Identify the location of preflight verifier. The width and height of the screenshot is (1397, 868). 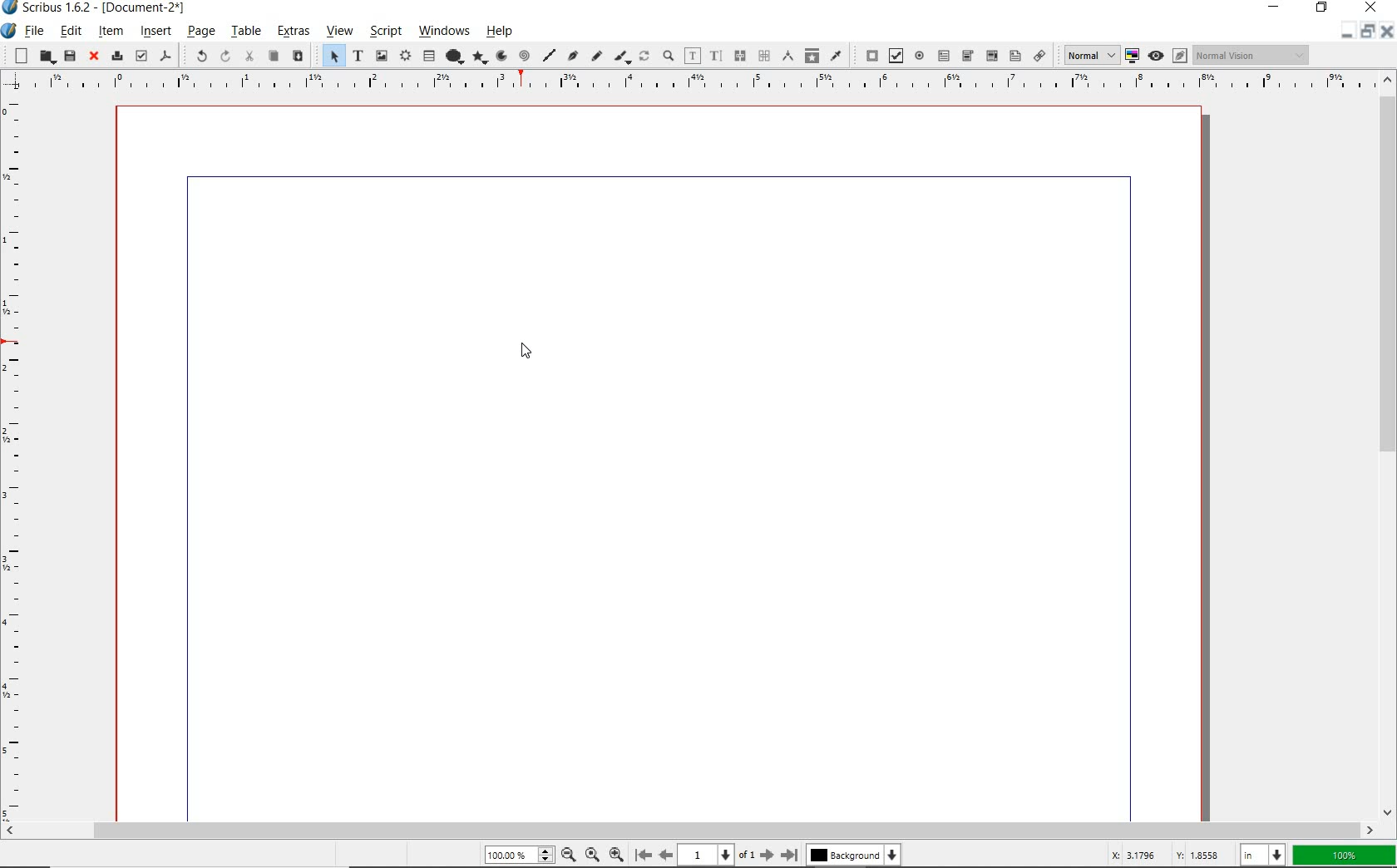
(141, 55).